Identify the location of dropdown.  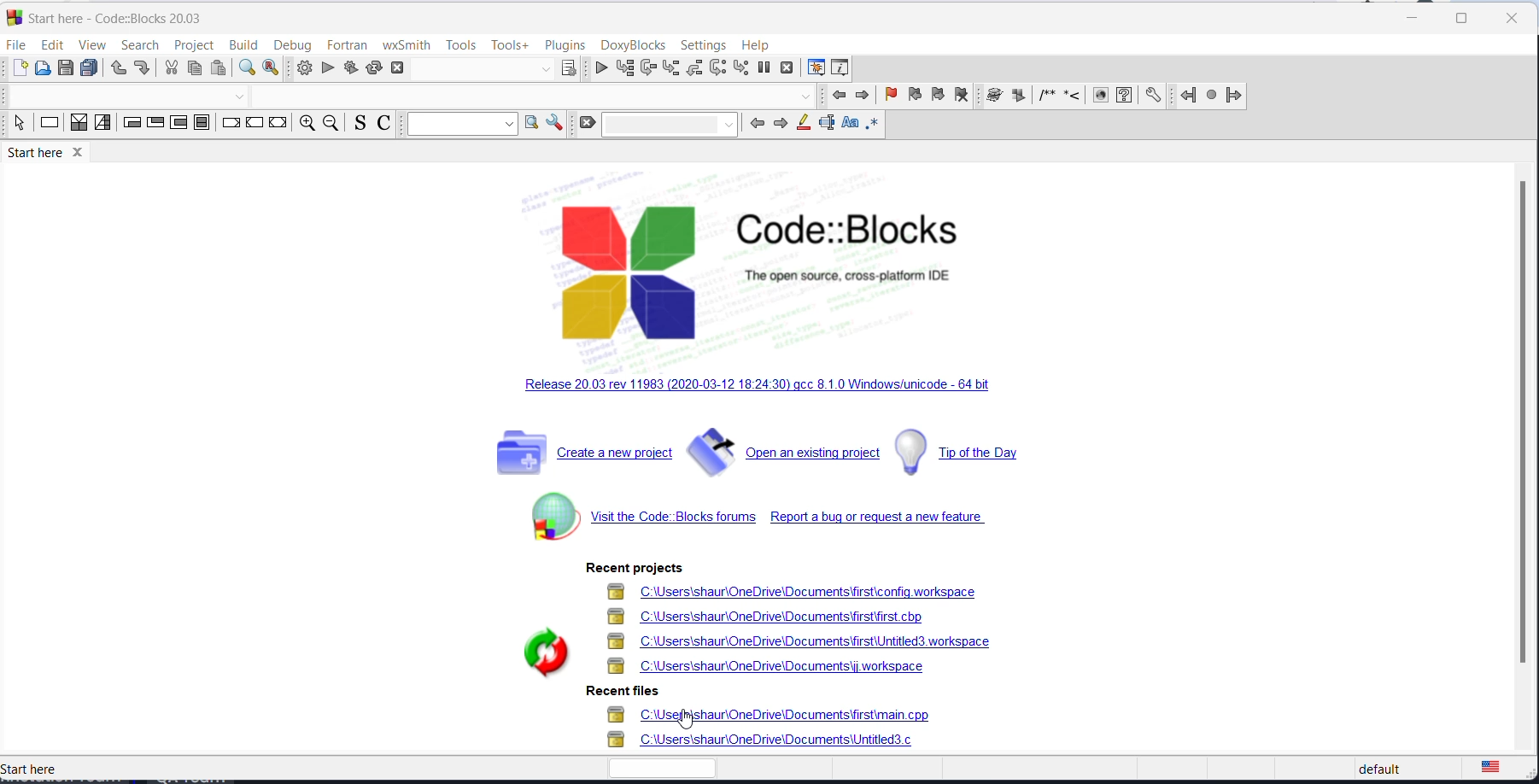
(461, 125).